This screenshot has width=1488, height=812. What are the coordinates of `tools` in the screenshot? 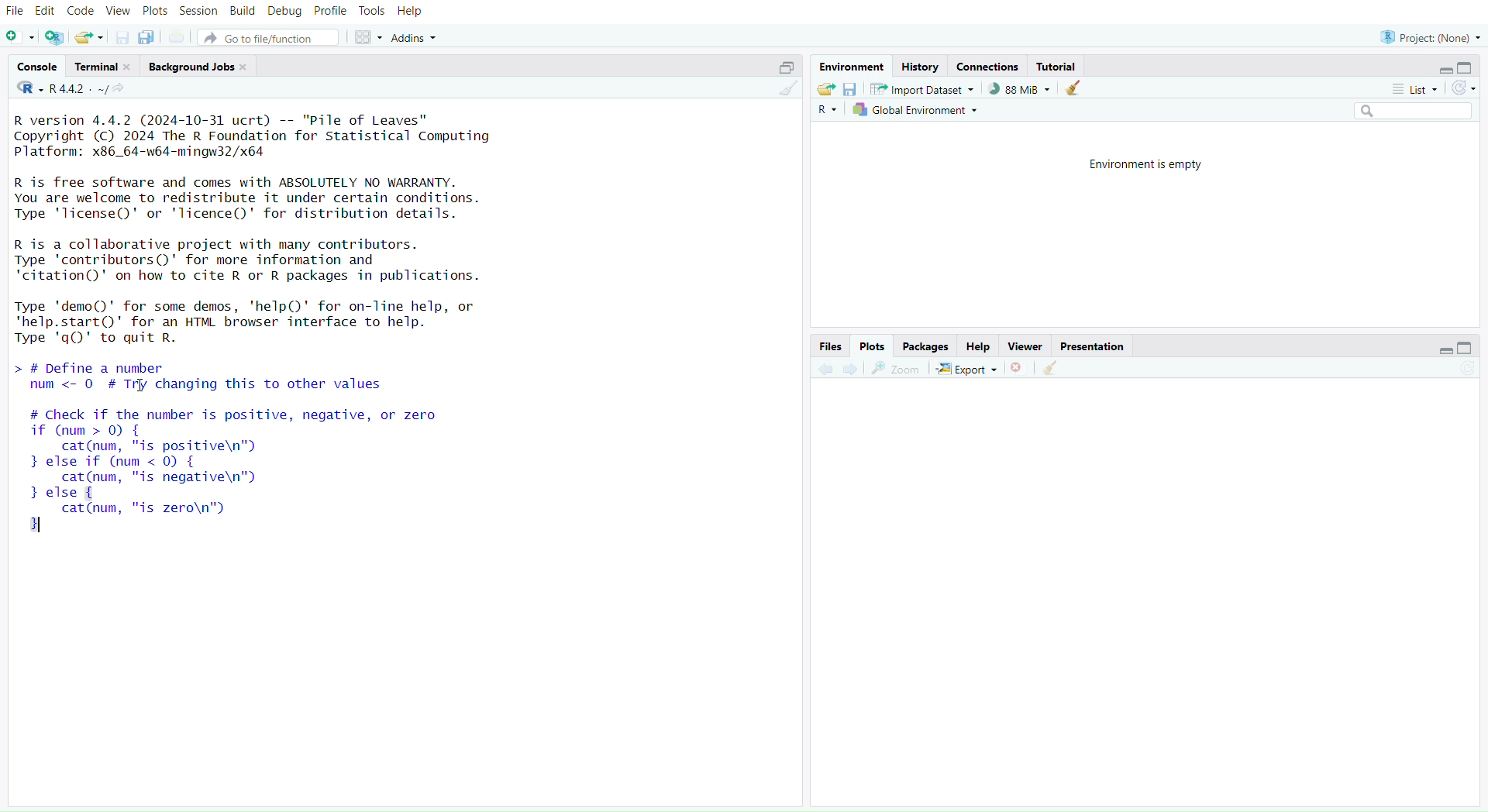 It's located at (373, 11).